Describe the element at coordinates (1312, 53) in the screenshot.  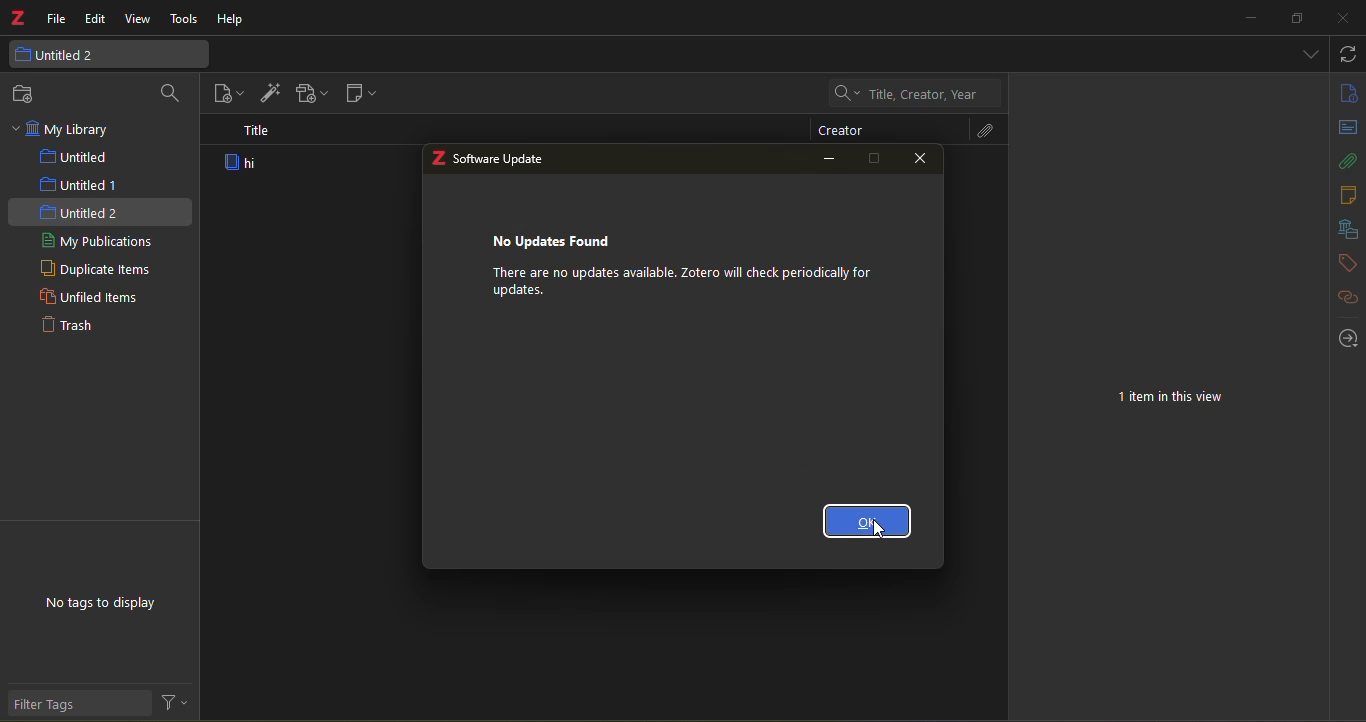
I see `dropdown` at that location.